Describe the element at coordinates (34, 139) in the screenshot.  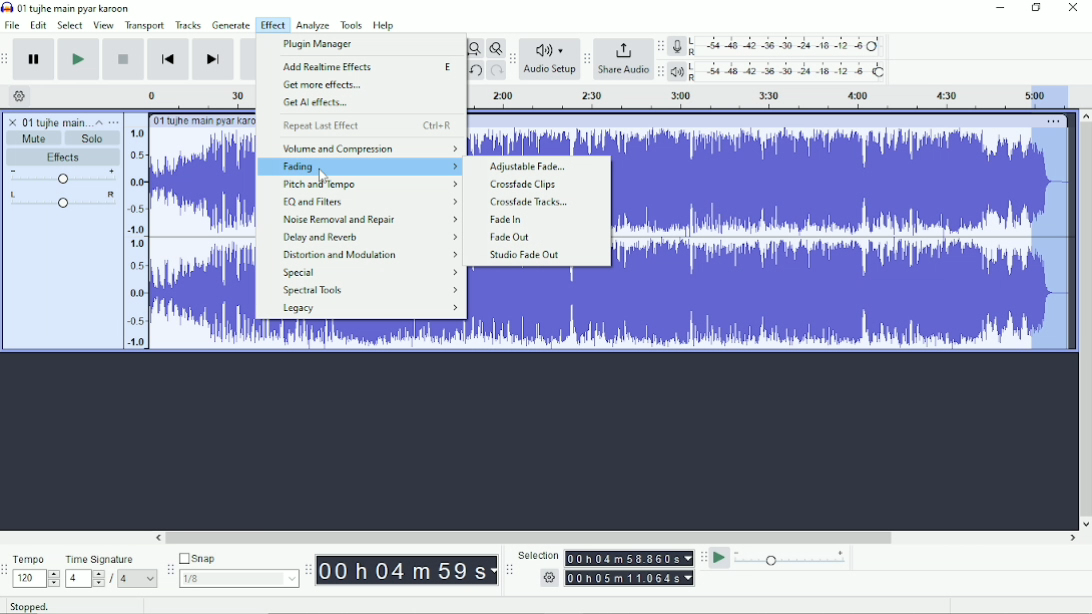
I see `Mute` at that location.